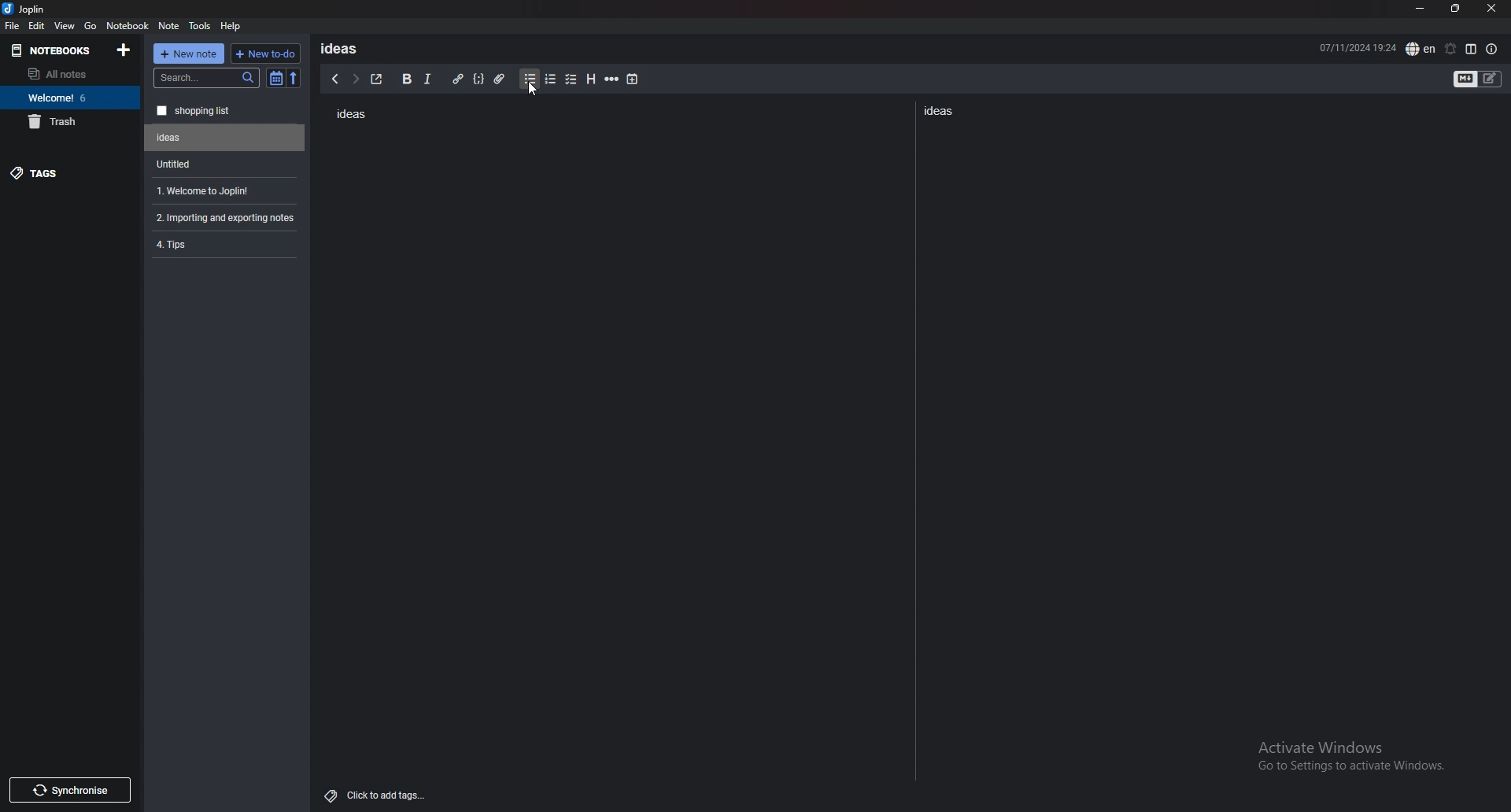  Describe the element at coordinates (294, 79) in the screenshot. I see `reverse sort order` at that location.